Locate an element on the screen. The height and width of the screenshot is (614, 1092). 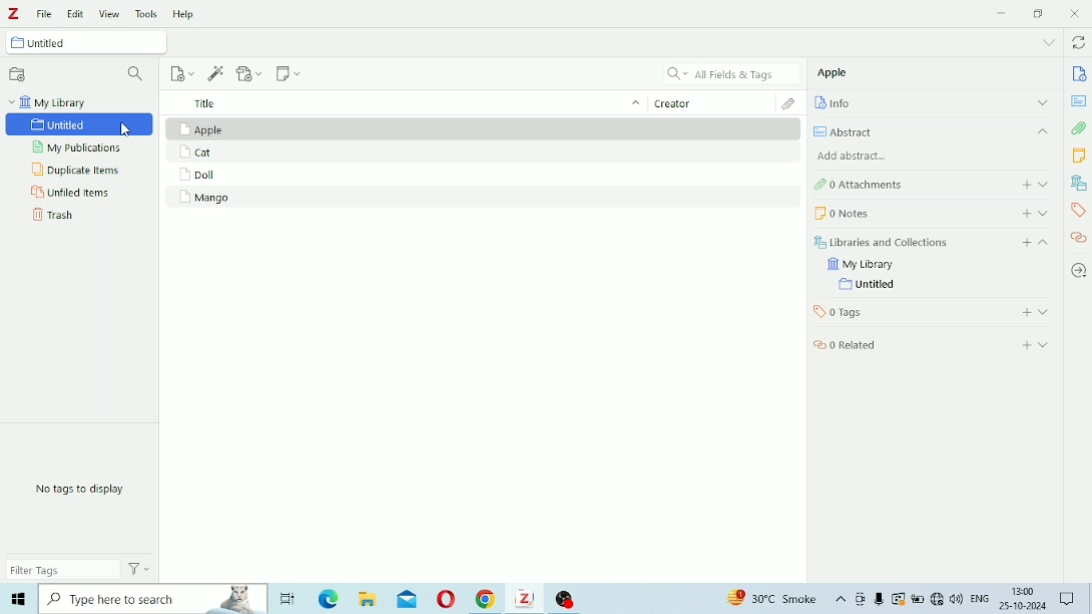
 is located at coordinates (908, 599).